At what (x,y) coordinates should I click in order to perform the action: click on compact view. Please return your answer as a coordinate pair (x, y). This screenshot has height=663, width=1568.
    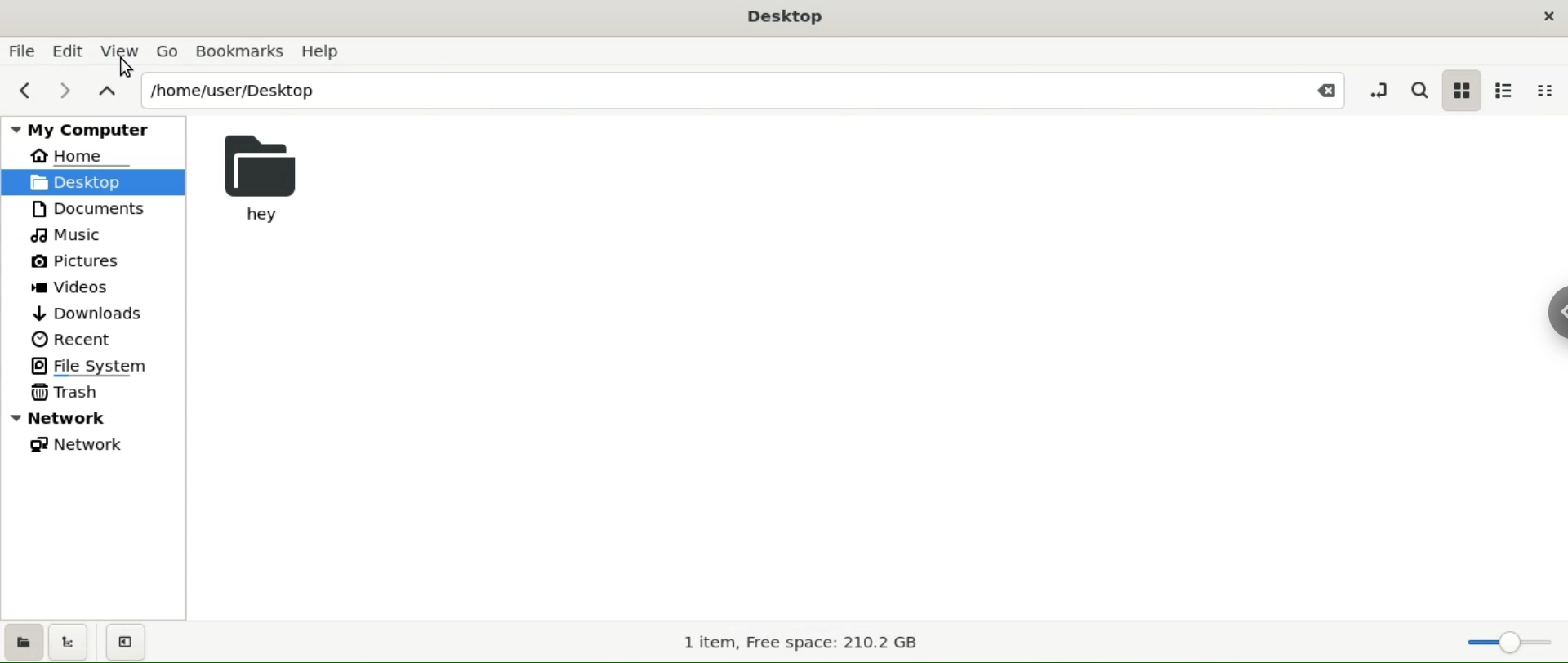
    Looking at the image, I should click on (1550, 90).